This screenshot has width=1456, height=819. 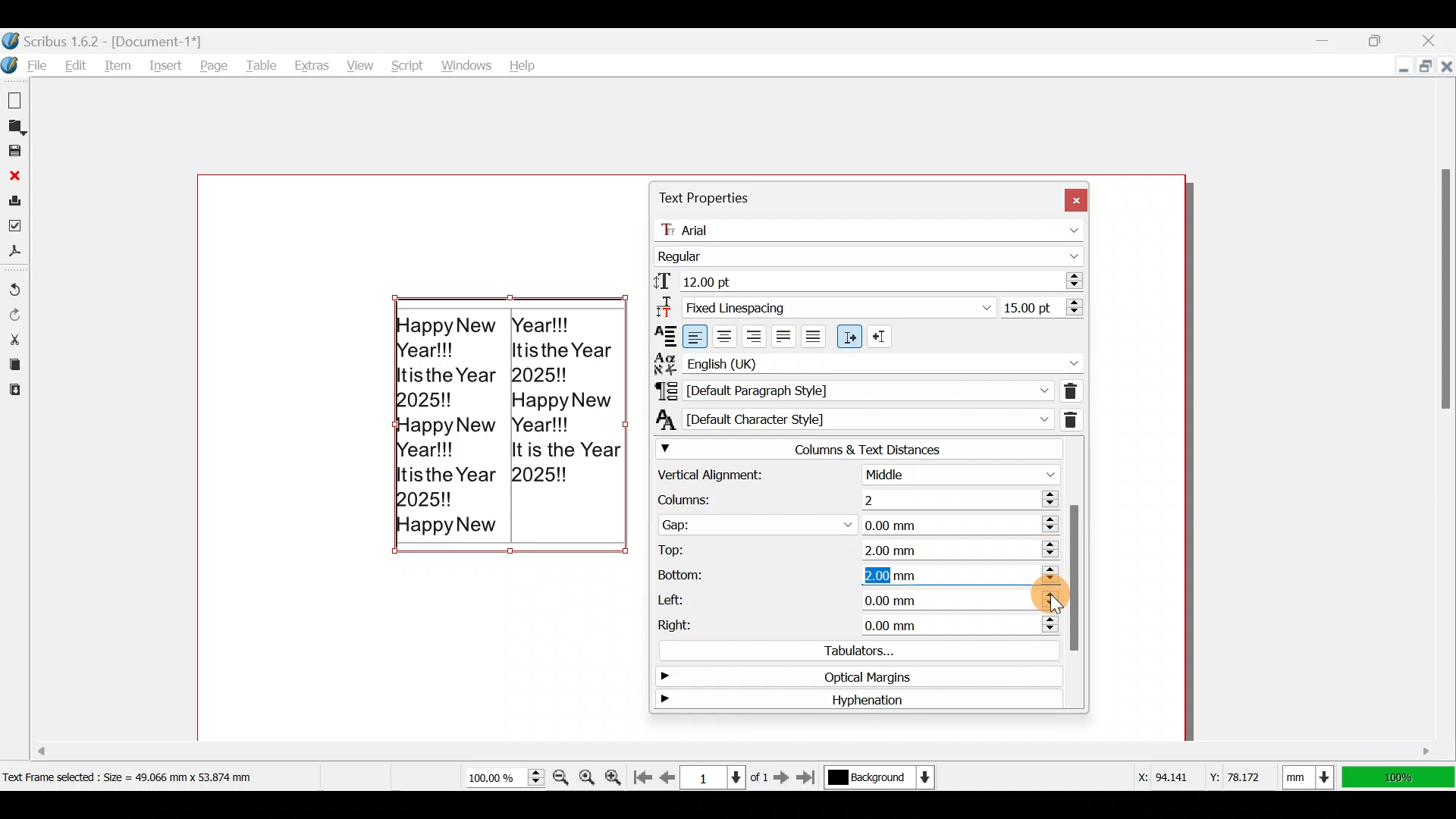 I want to click on Gap, so click(x=855, y=523).